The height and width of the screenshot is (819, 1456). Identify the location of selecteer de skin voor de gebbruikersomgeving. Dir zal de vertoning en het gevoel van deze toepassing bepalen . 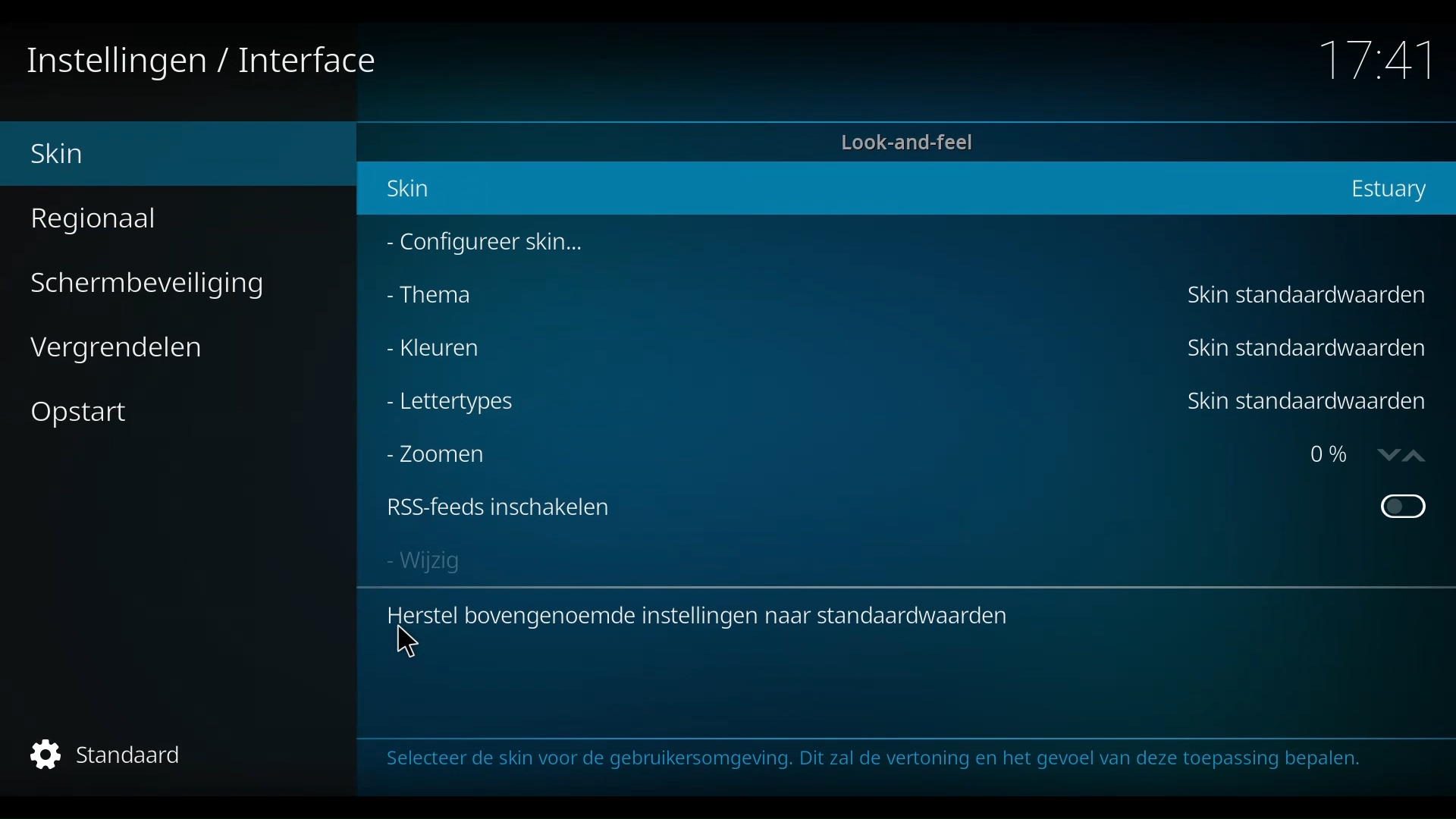
(871, 761).